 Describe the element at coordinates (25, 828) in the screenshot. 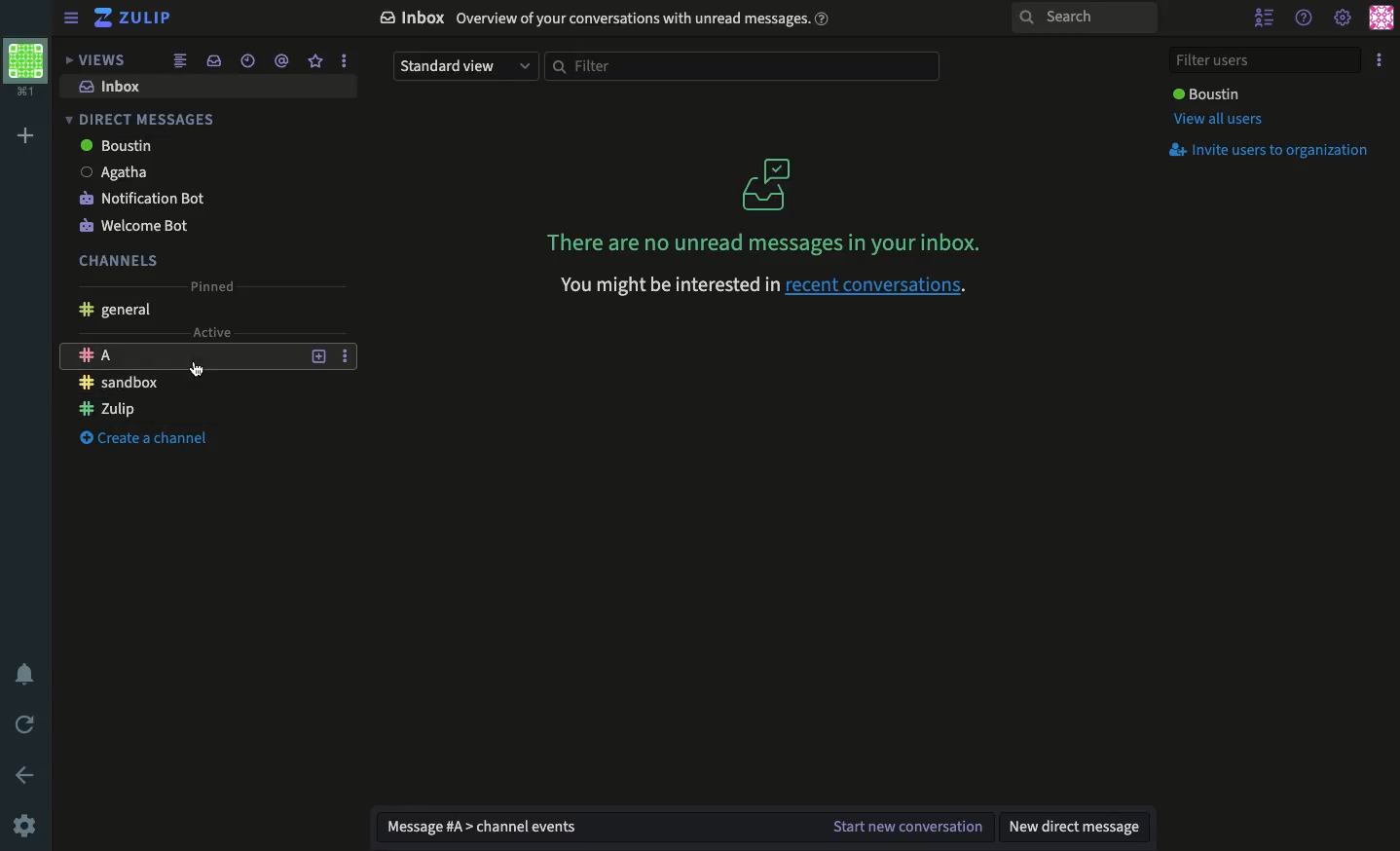

I see `Settings` at that location.